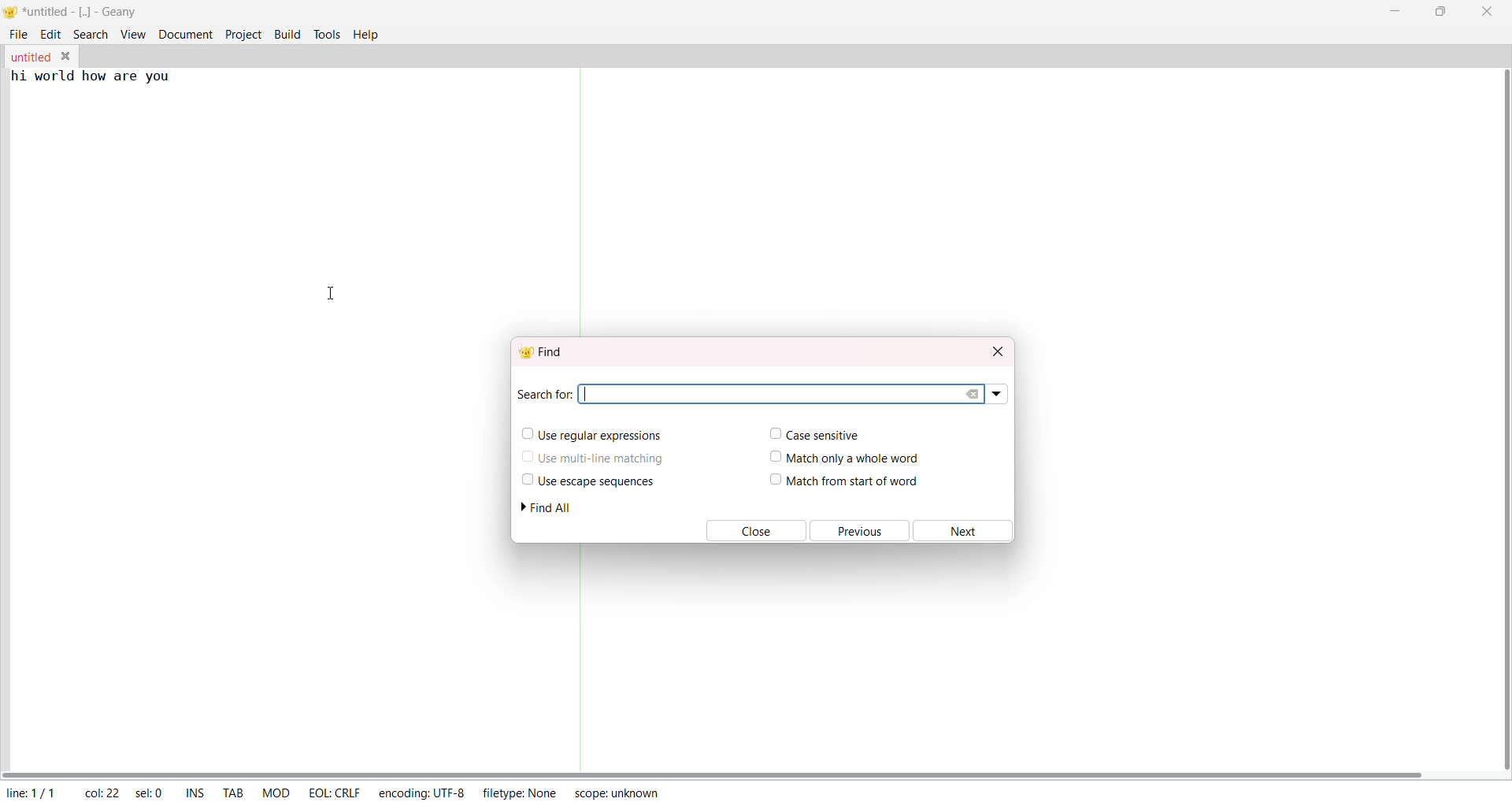  I want to click on separator, so click(584, 655).